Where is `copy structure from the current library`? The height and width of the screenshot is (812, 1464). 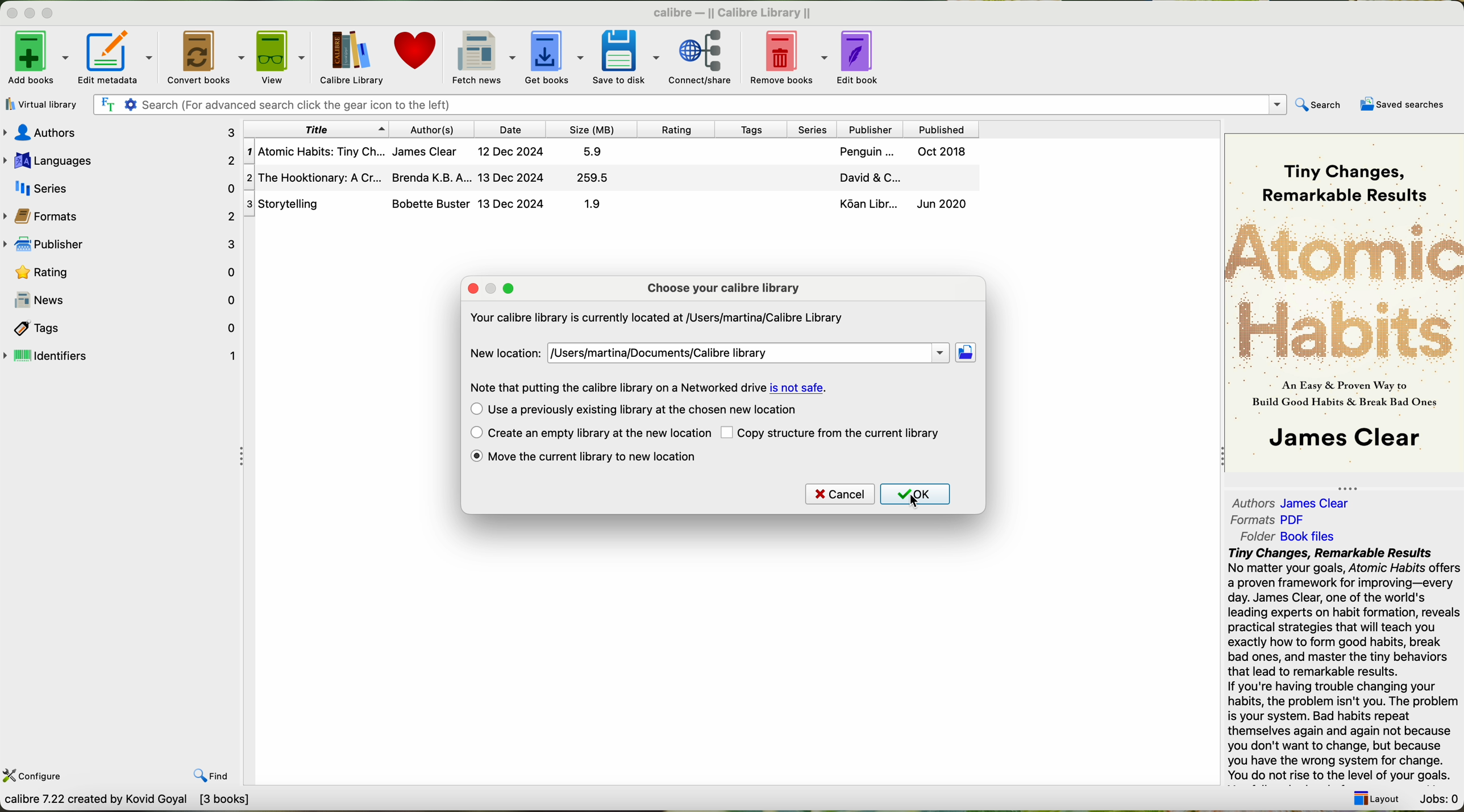
copy structure from the current library is located at coordinates (843, 434).